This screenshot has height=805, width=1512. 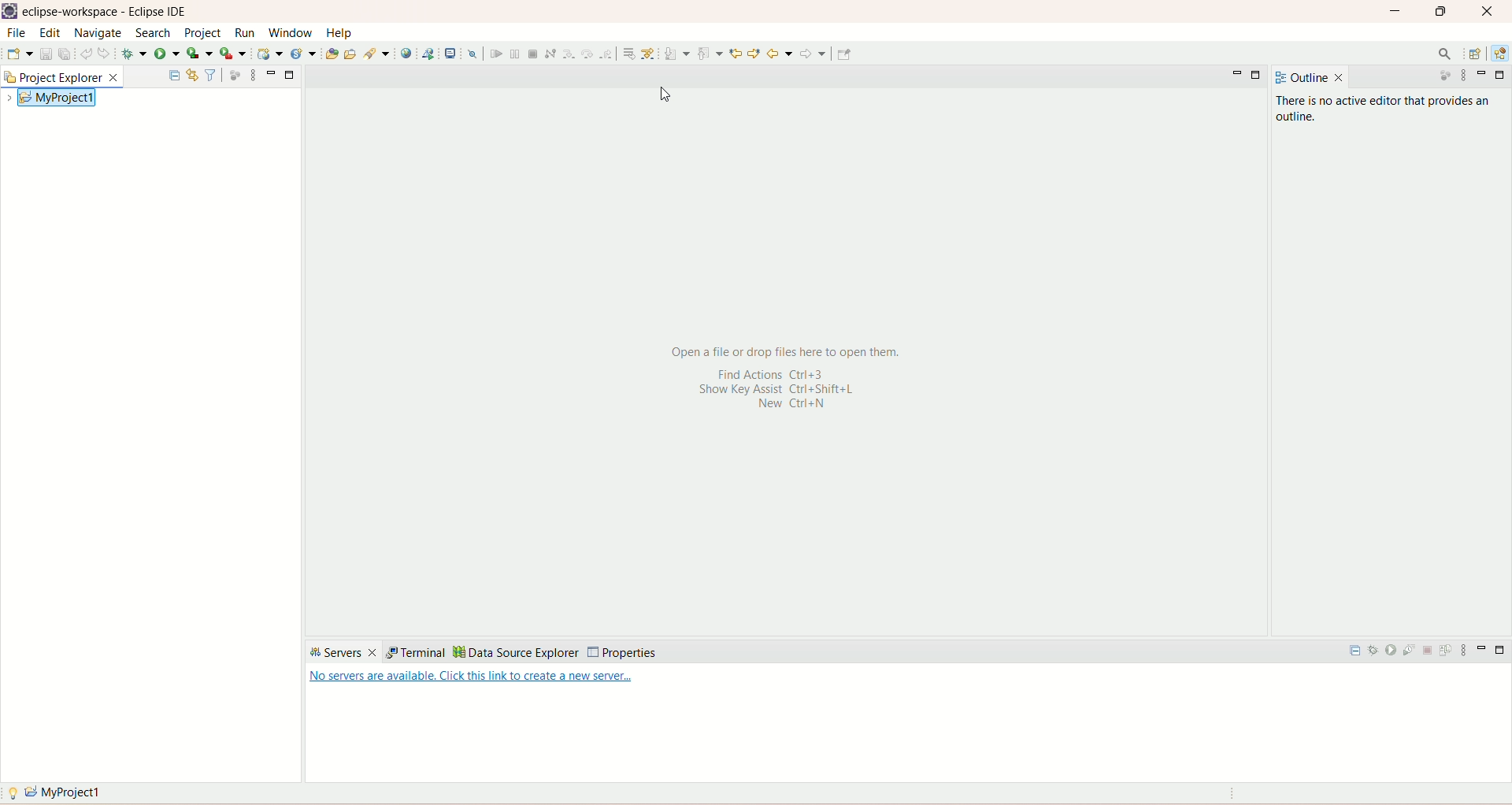 What do you see at coordinates (534, 54) in the screenshot?
I see `terminate` at bounding box center [534, 54].